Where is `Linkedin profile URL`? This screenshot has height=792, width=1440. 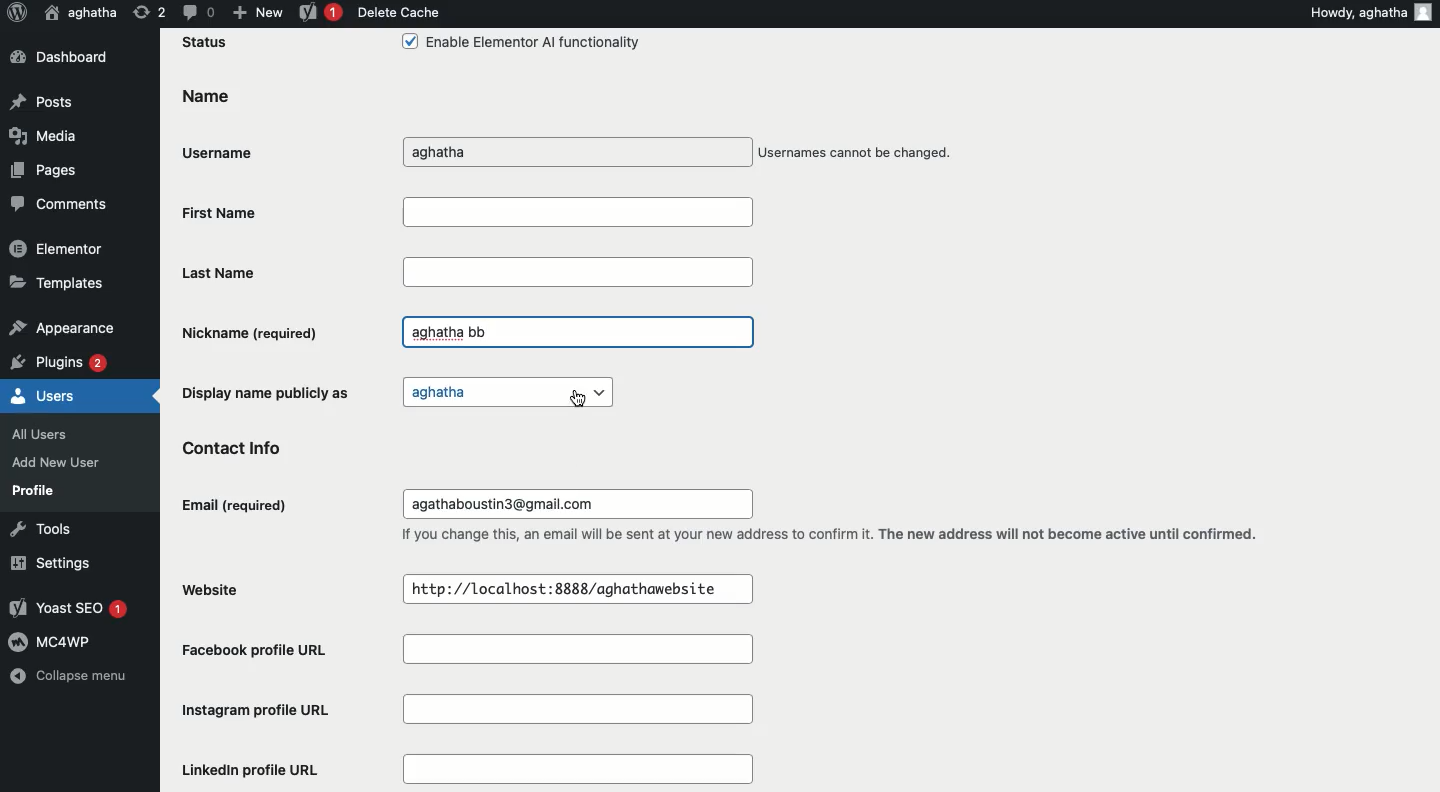 Linkedin profile URL is located at coordinates (463, 770).